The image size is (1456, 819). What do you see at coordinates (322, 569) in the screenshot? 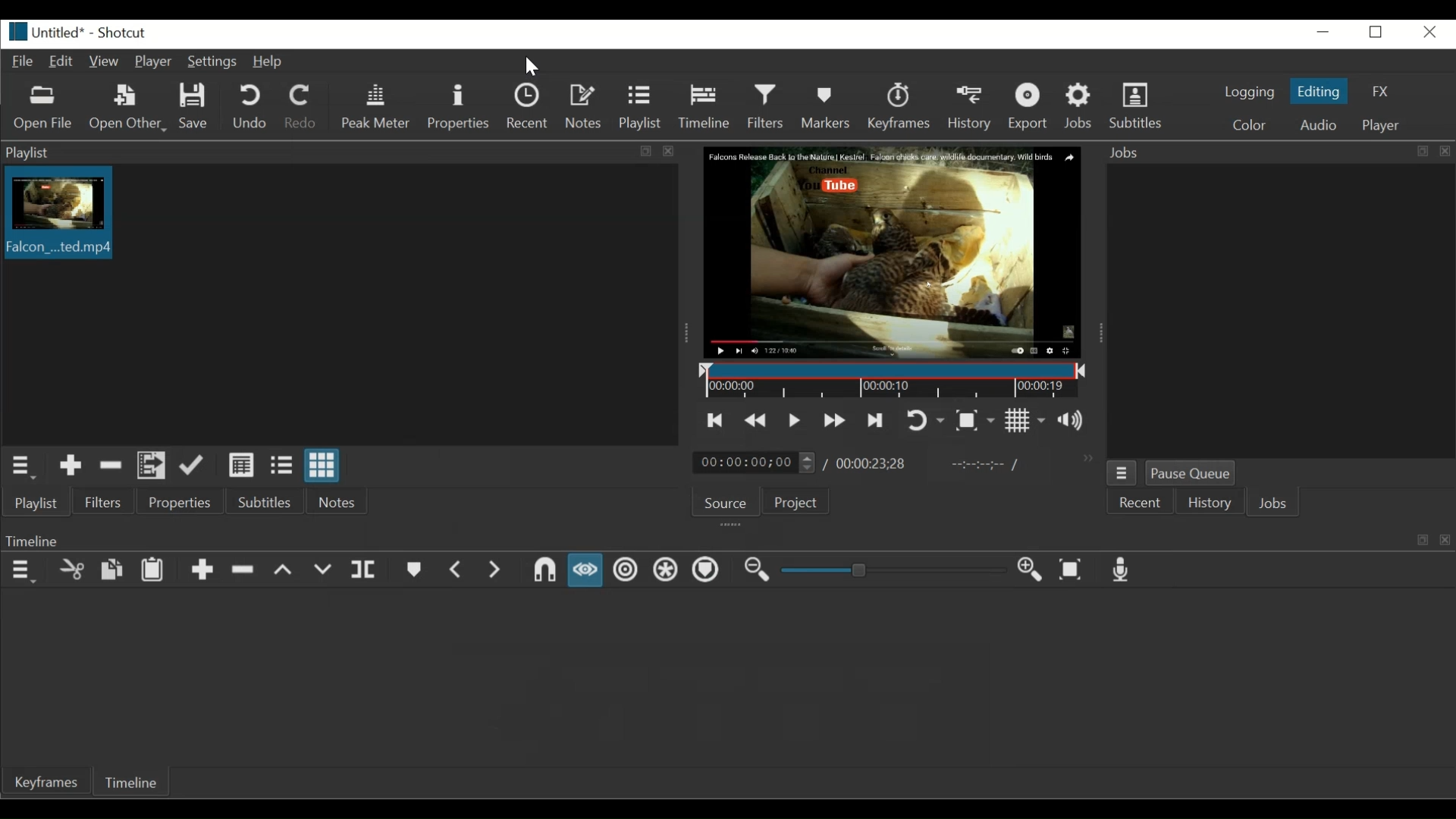
I see `Overwrite` at bounding box center [322, 569].